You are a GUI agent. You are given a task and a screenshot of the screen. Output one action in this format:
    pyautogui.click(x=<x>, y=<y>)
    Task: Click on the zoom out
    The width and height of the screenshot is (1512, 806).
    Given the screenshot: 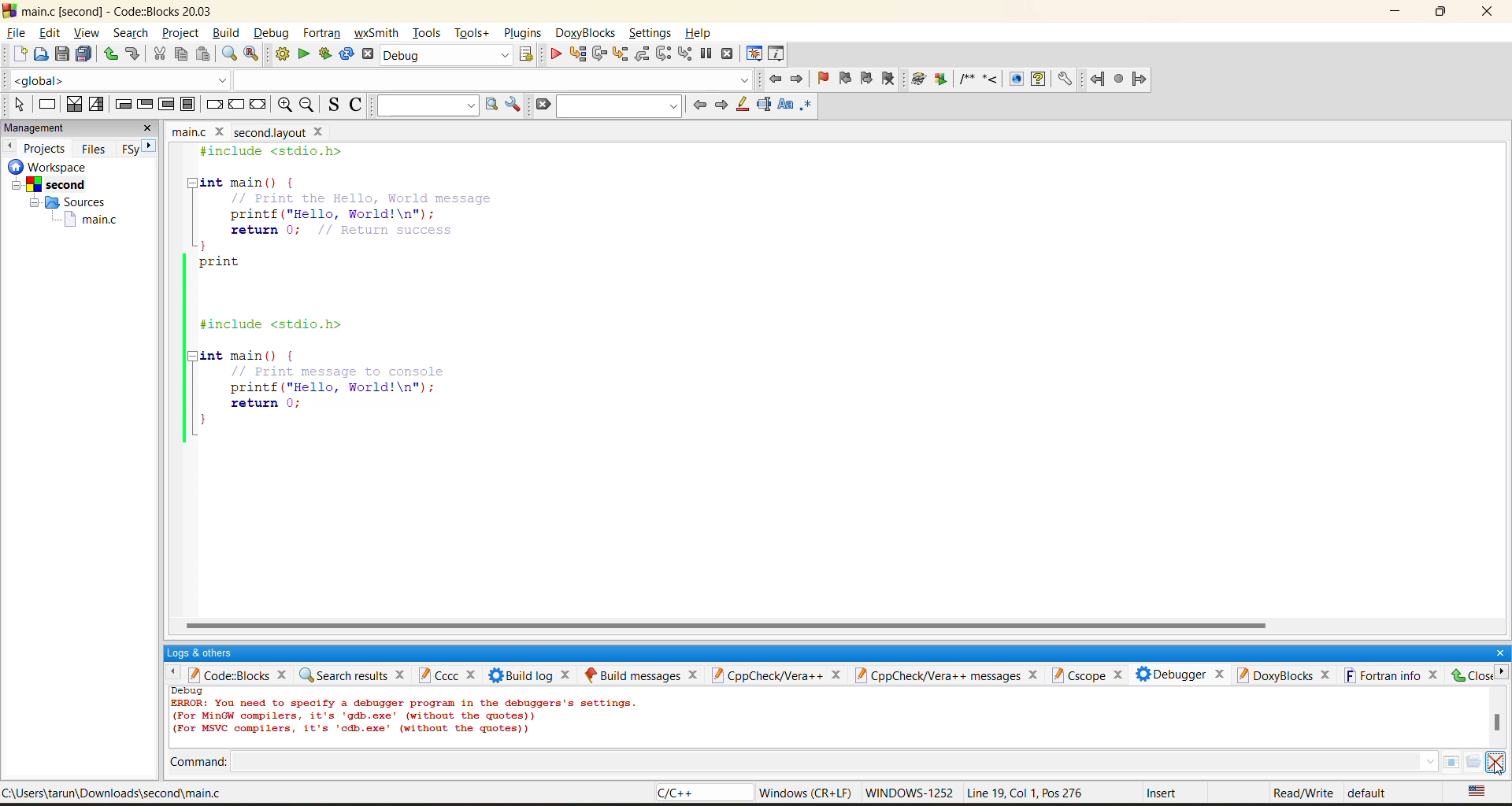 What is the action you would take?
    pyautogui.click(x=306, y=106)
    